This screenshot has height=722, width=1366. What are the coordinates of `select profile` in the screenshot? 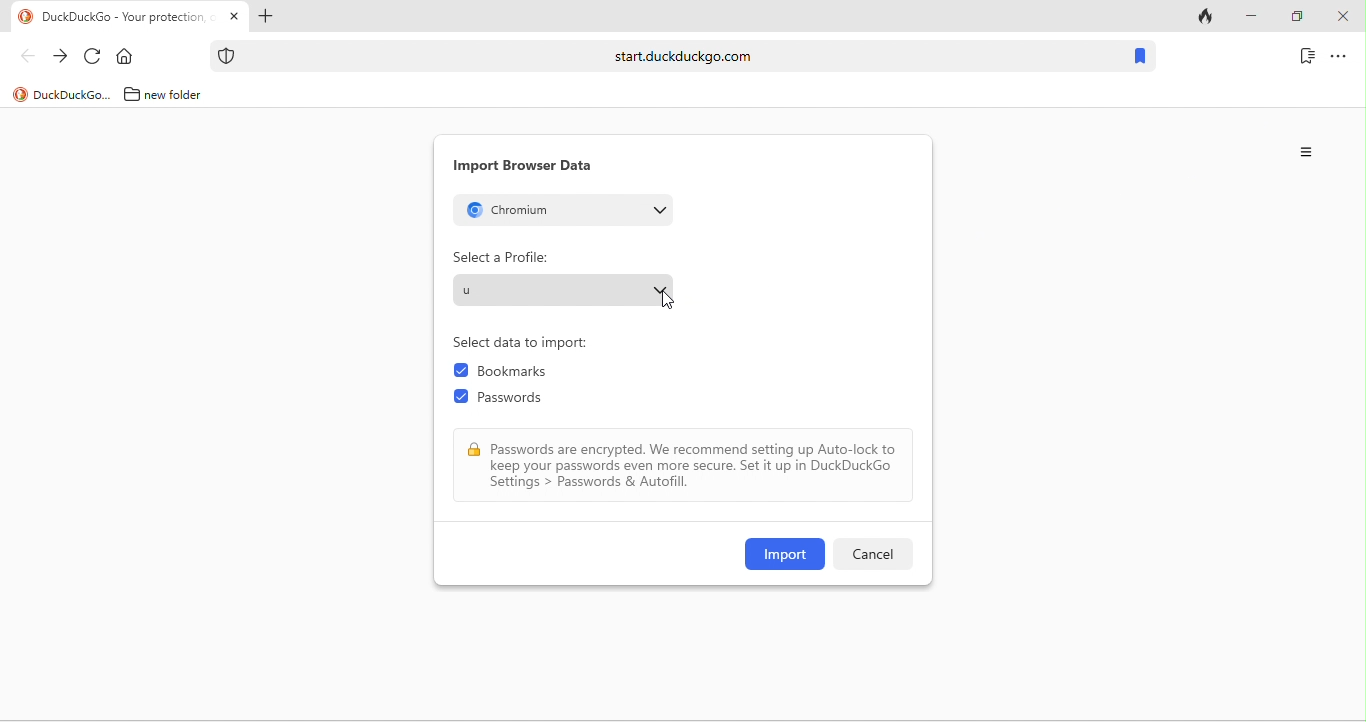 It's located at (564, 289).